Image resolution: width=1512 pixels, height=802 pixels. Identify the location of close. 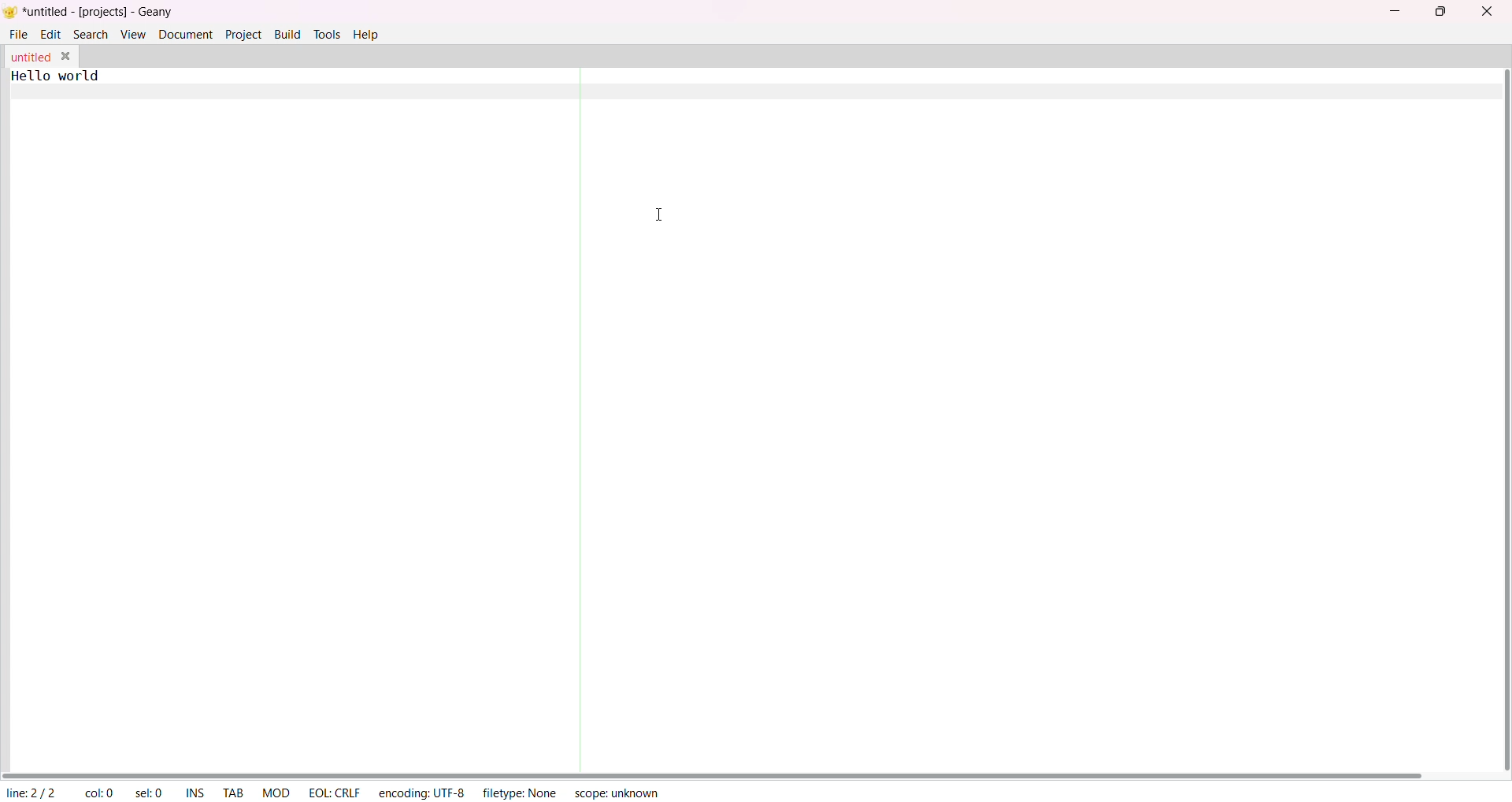
(1487, 11).